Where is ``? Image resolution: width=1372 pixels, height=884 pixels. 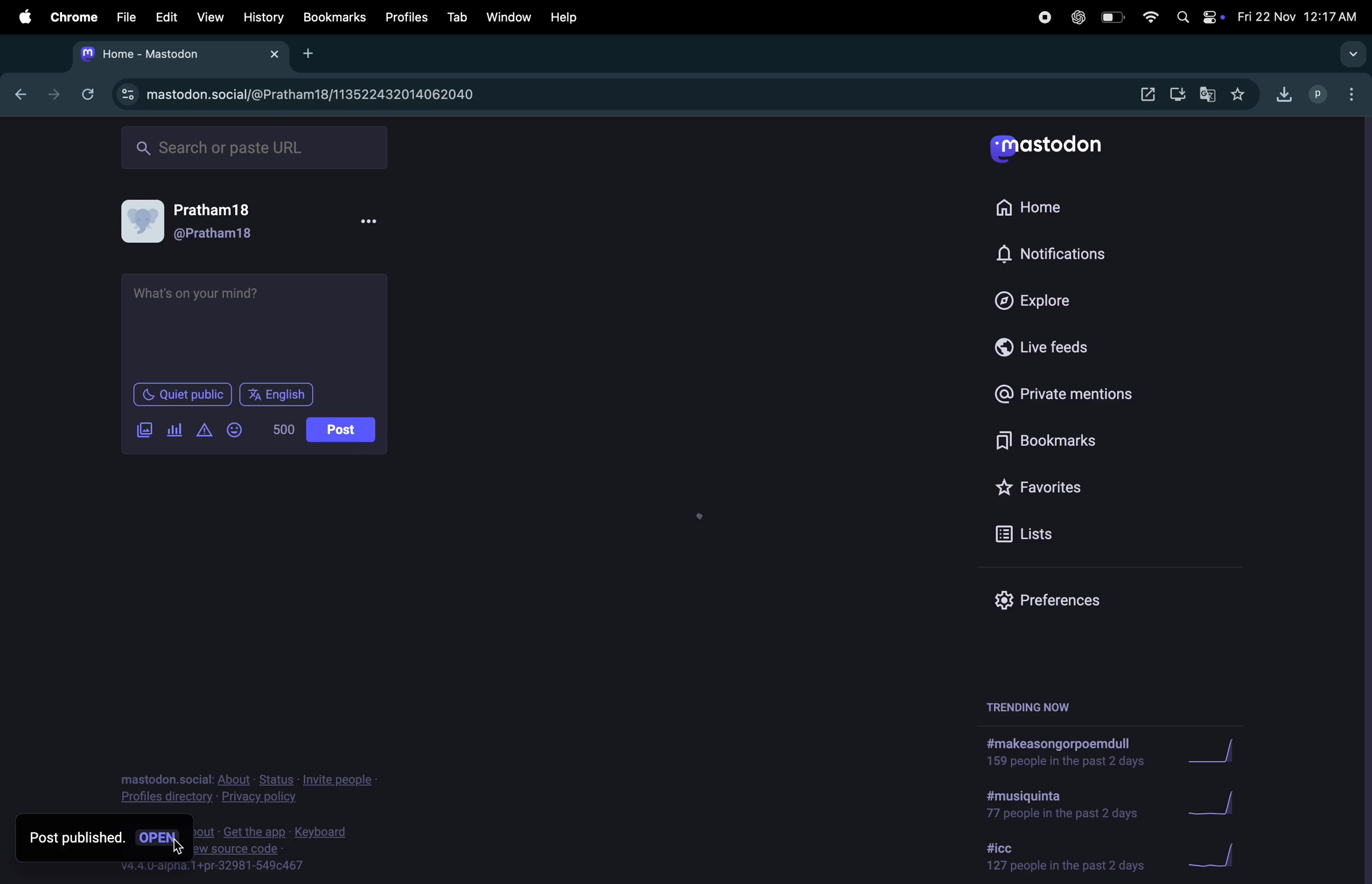  is located at coordinates (162, 843).